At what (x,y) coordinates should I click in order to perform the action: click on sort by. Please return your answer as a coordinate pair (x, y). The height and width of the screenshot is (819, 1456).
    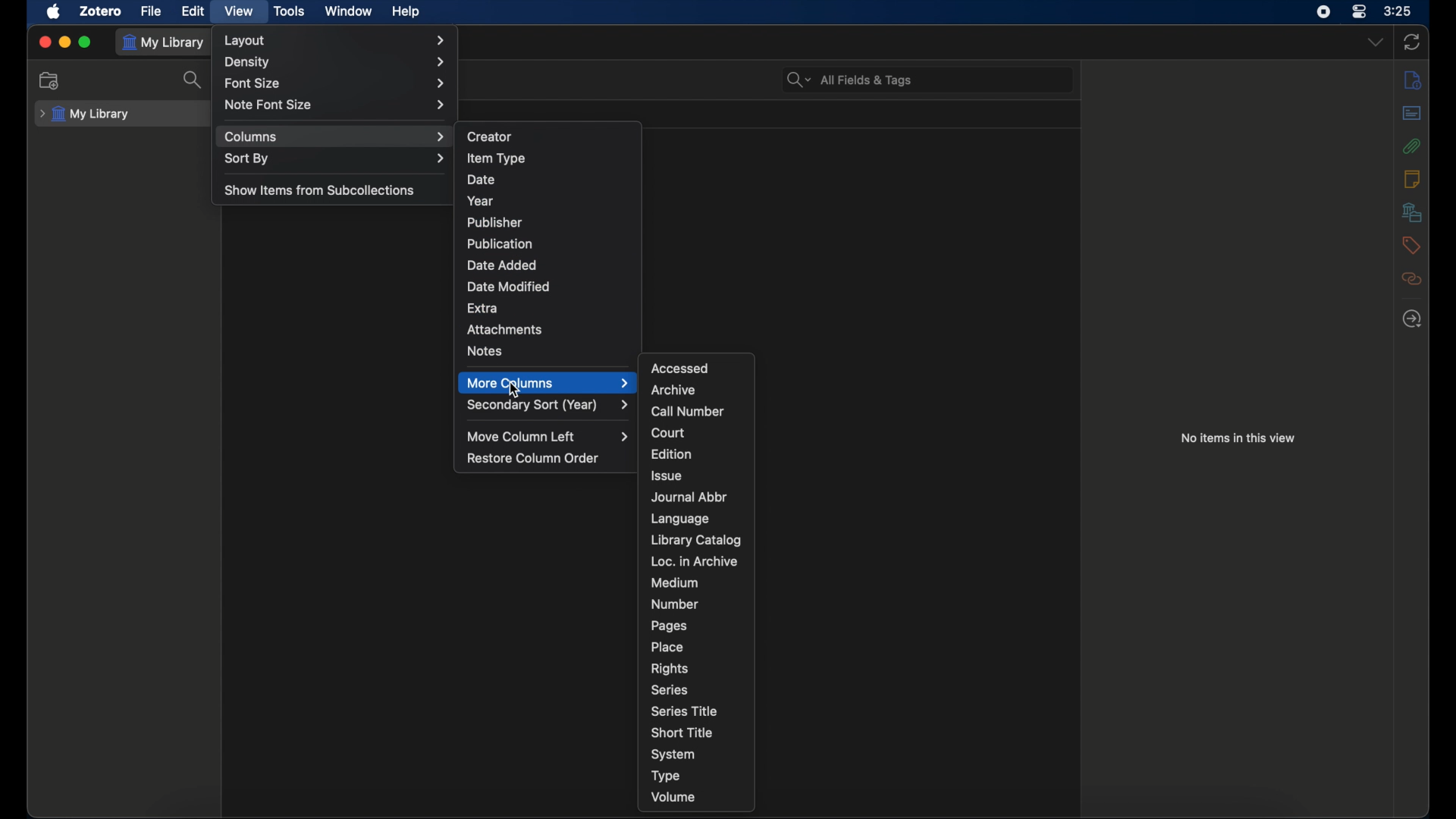
    Looking at the image, I should click on (336, 160).